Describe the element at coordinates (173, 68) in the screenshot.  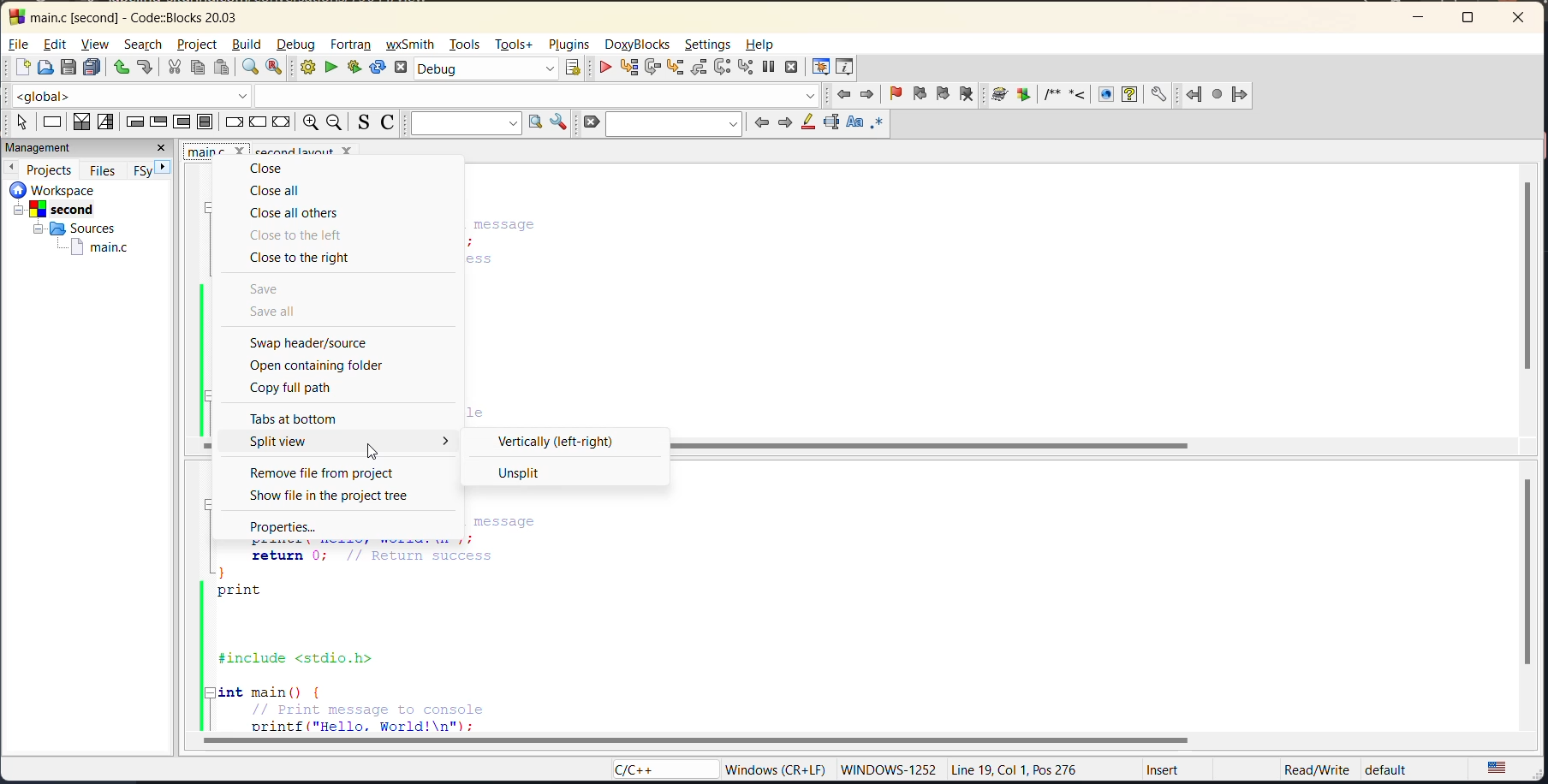
I see `cut` at that location.